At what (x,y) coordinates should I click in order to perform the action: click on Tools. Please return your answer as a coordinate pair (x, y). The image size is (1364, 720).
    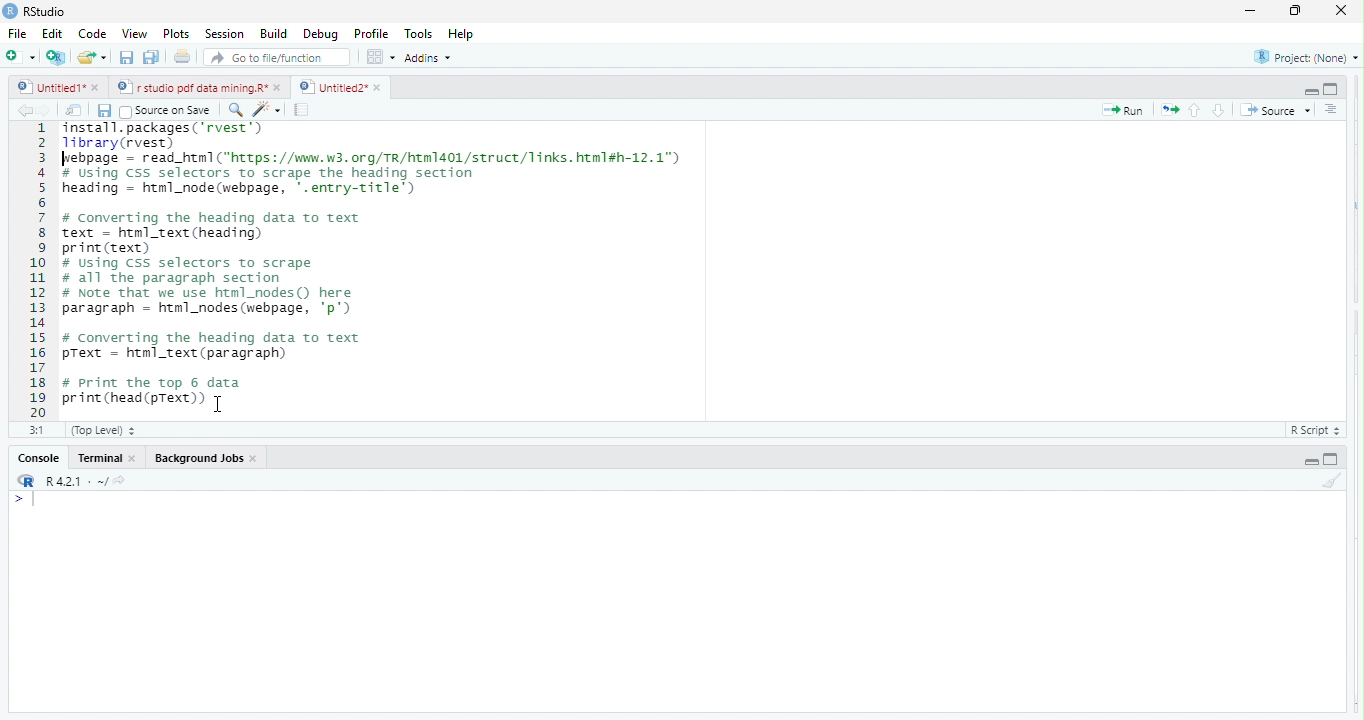
    Looking at the image, I should click on (420, 33).